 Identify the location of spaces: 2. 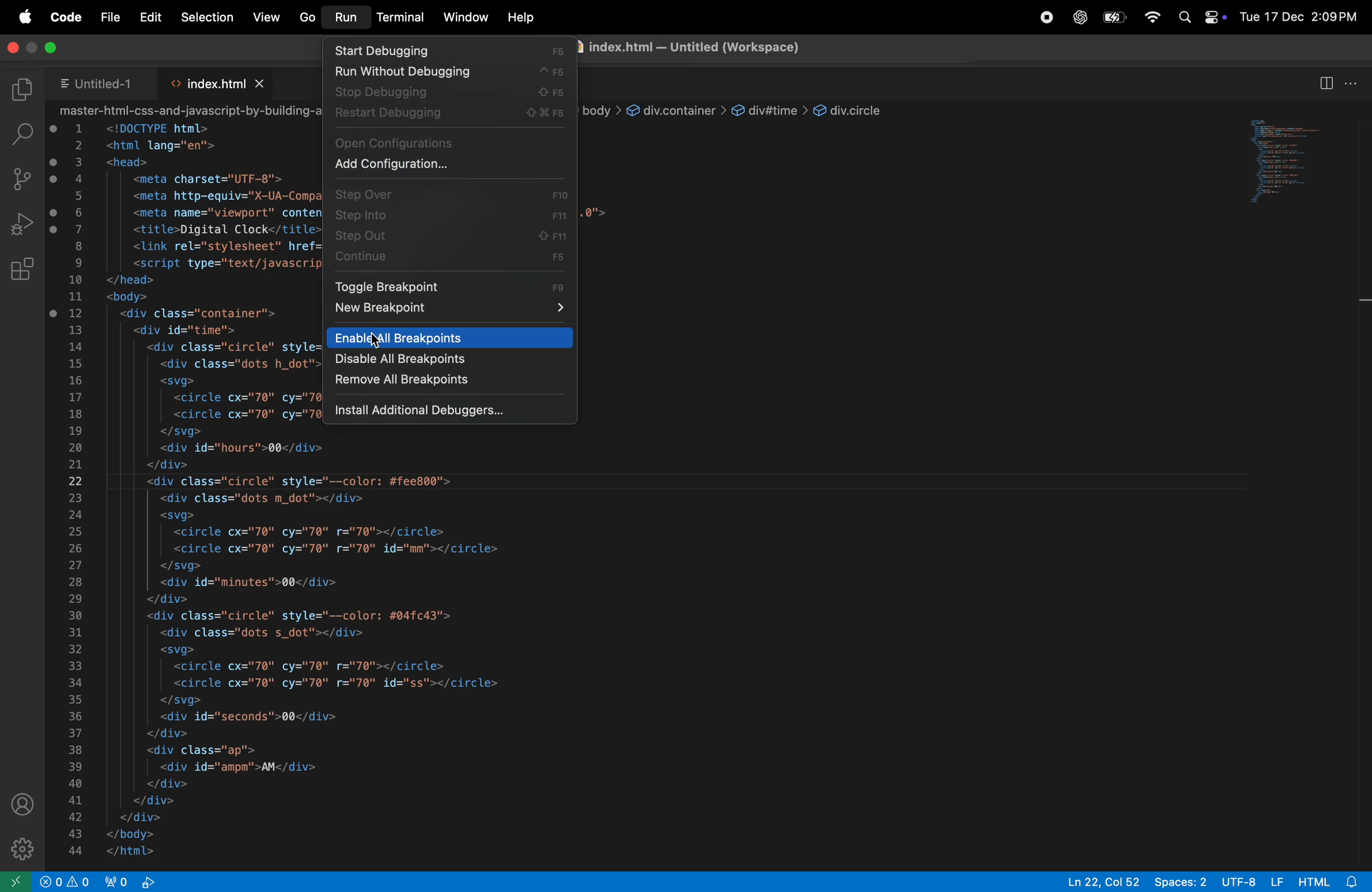
(1179, 880).